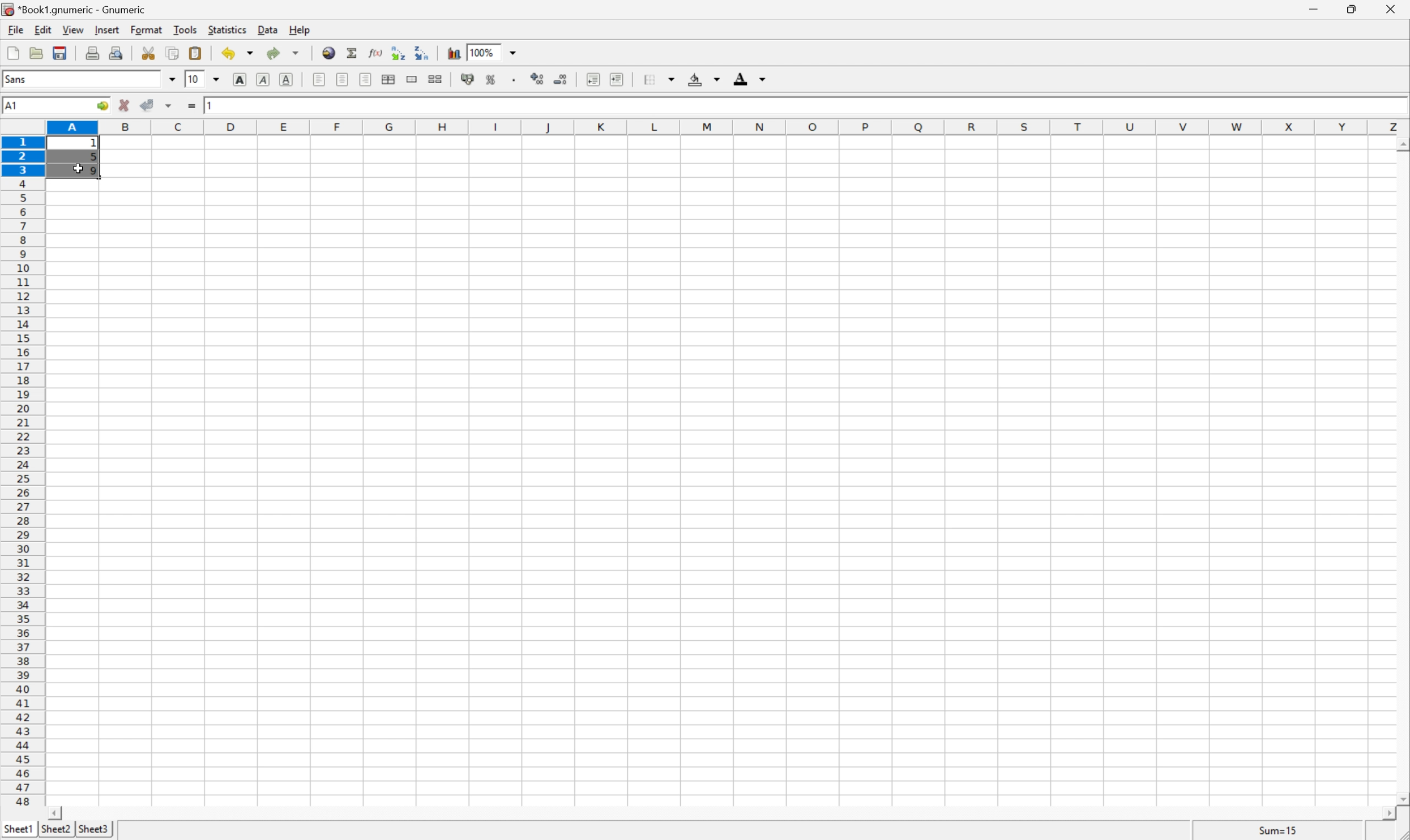 The width and height of the screenshot is (1410, 840). Describe the element at coordinates (320, 79) in the screenshot. I see `align left` at that location.